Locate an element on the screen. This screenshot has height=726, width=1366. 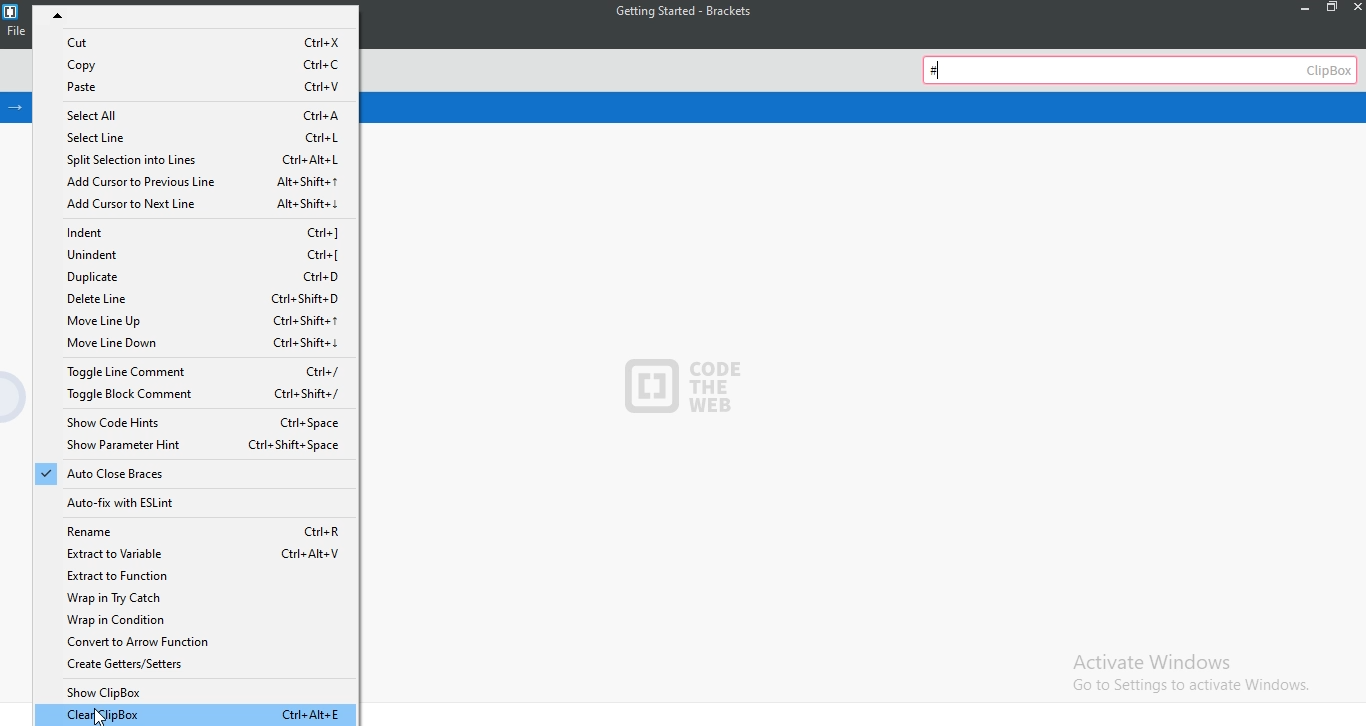
Paste is located at coordinates (201, 88).